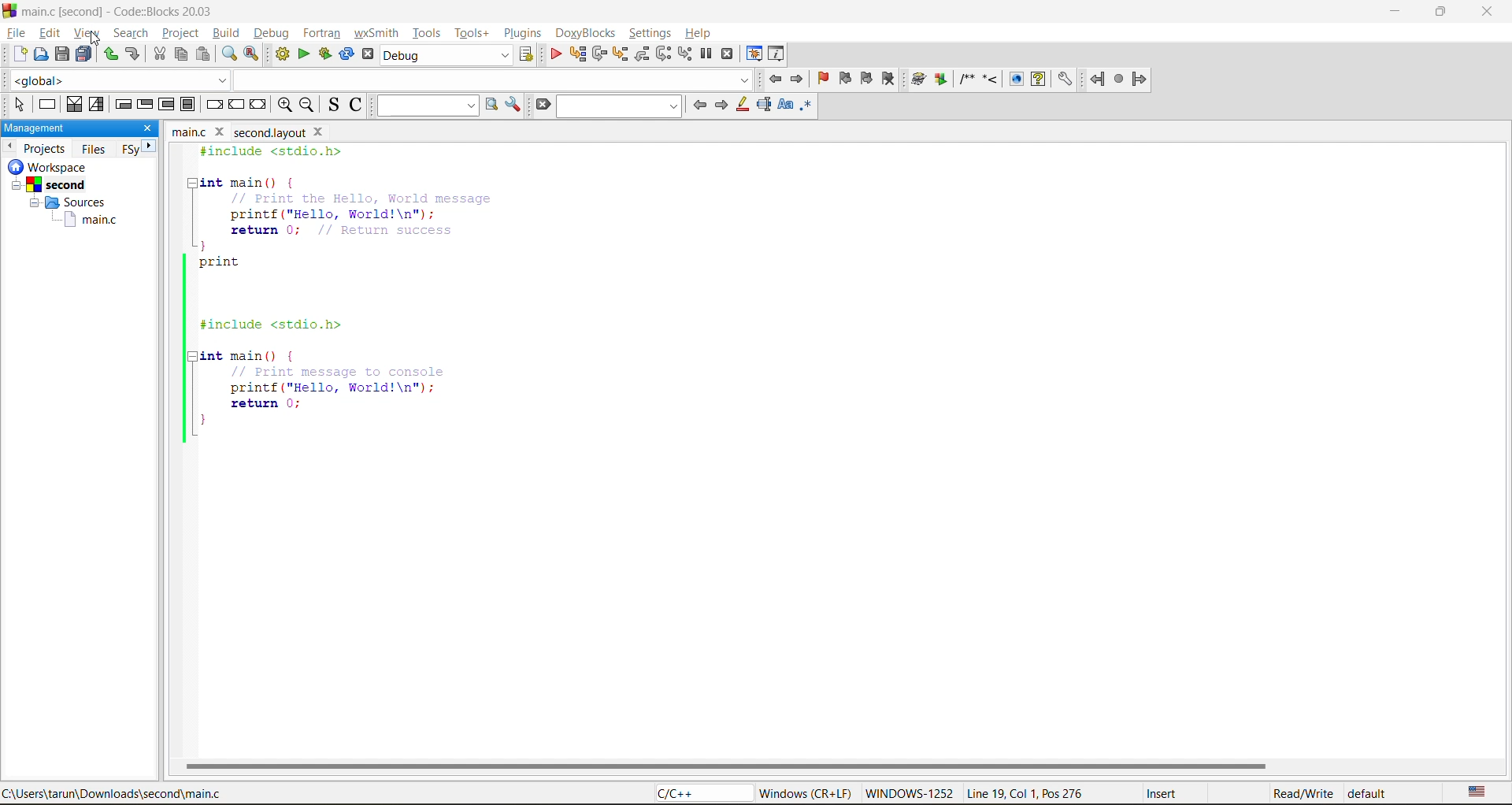 This screenshot has width=1512, height=805. Describe the element at coordinates (991, 80) in the screenshot. I see `doxyblocks` at that location.